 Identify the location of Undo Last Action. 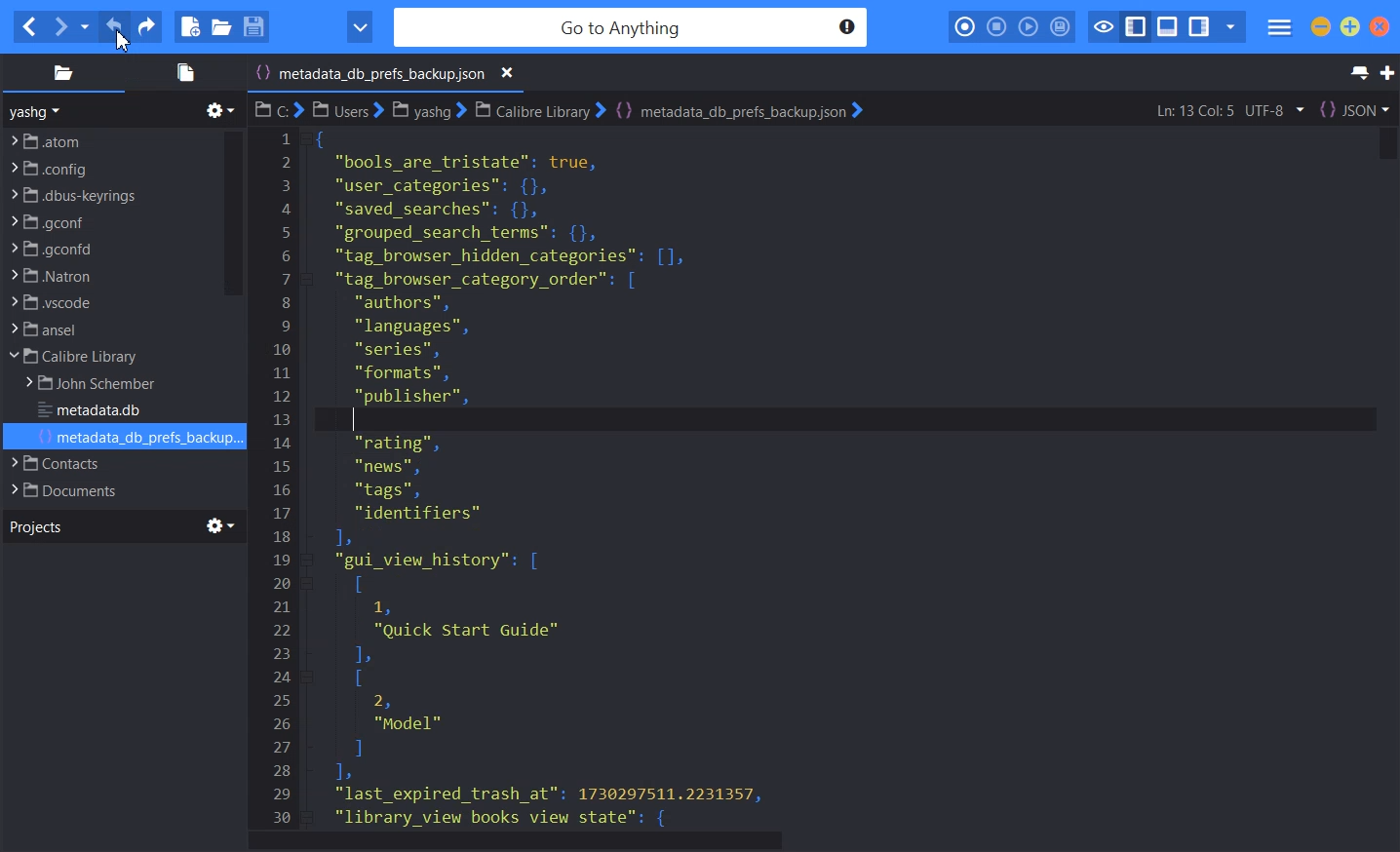
(116, 27).